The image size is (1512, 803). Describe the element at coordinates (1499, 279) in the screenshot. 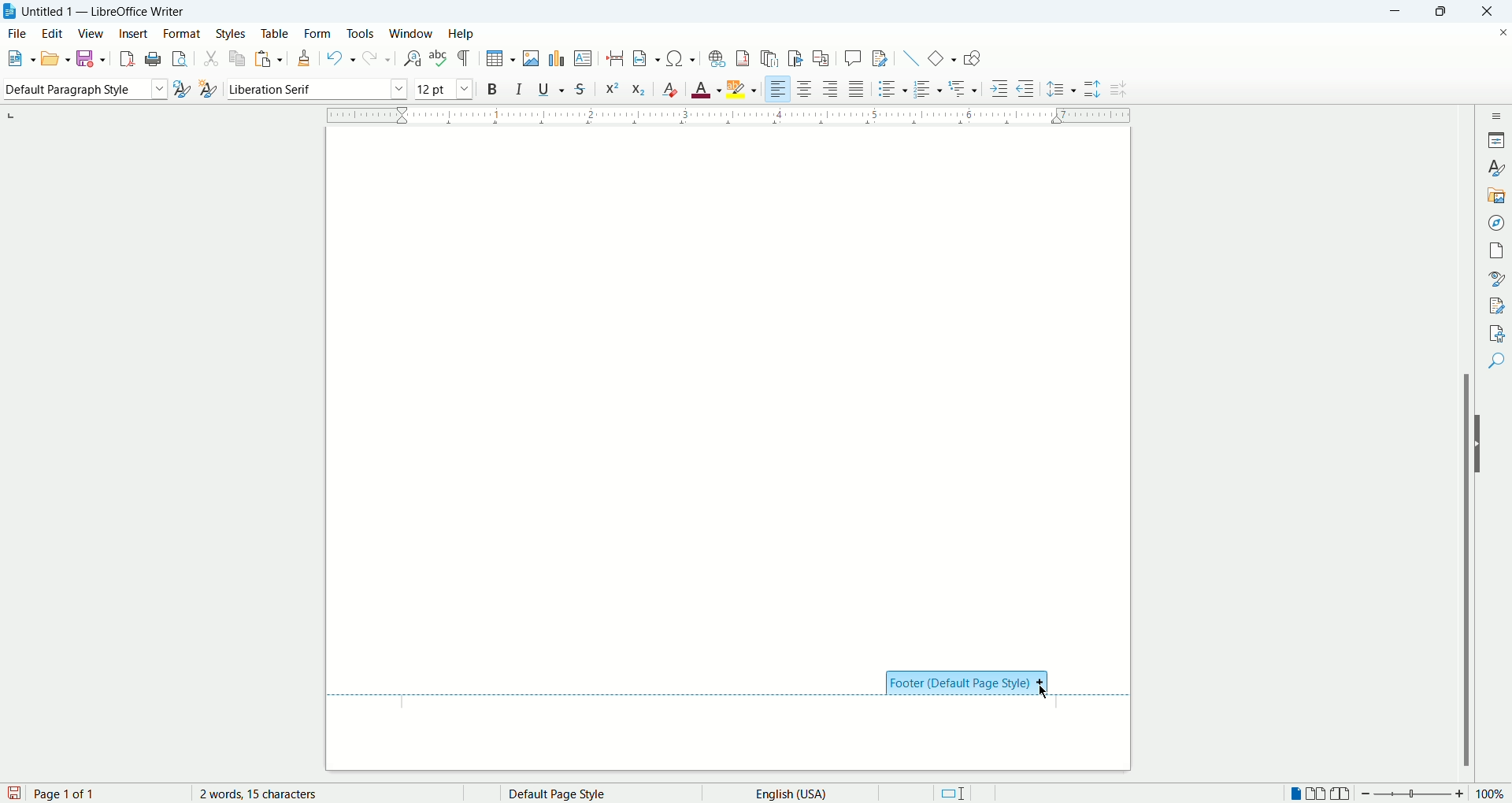

I see `style inspector` at that location.